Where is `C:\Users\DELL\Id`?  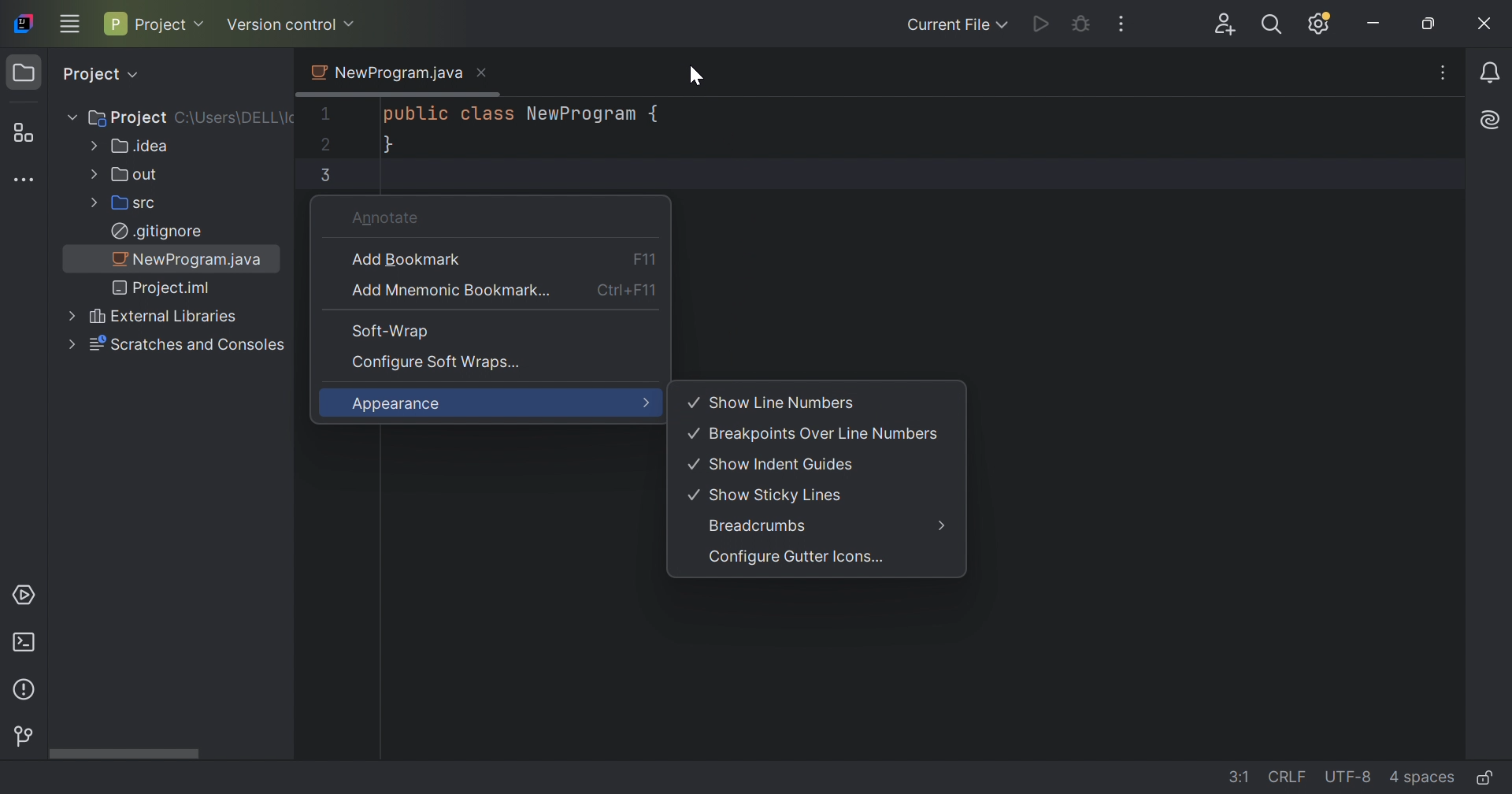
C:\Users\DELL\Id is located at coordinates (235, 120).